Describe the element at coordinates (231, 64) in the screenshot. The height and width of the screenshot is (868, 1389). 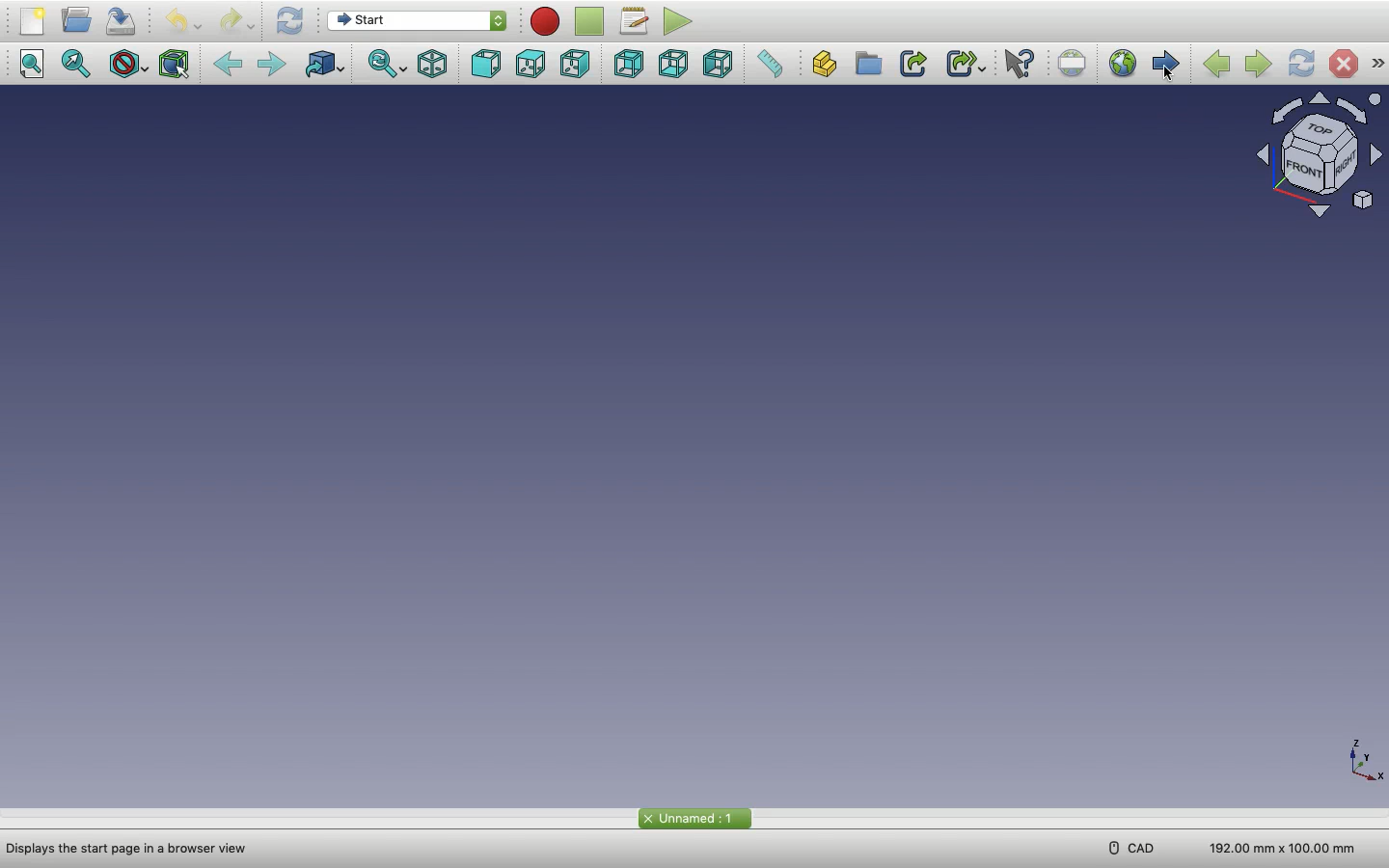
I see `Back` at that location.